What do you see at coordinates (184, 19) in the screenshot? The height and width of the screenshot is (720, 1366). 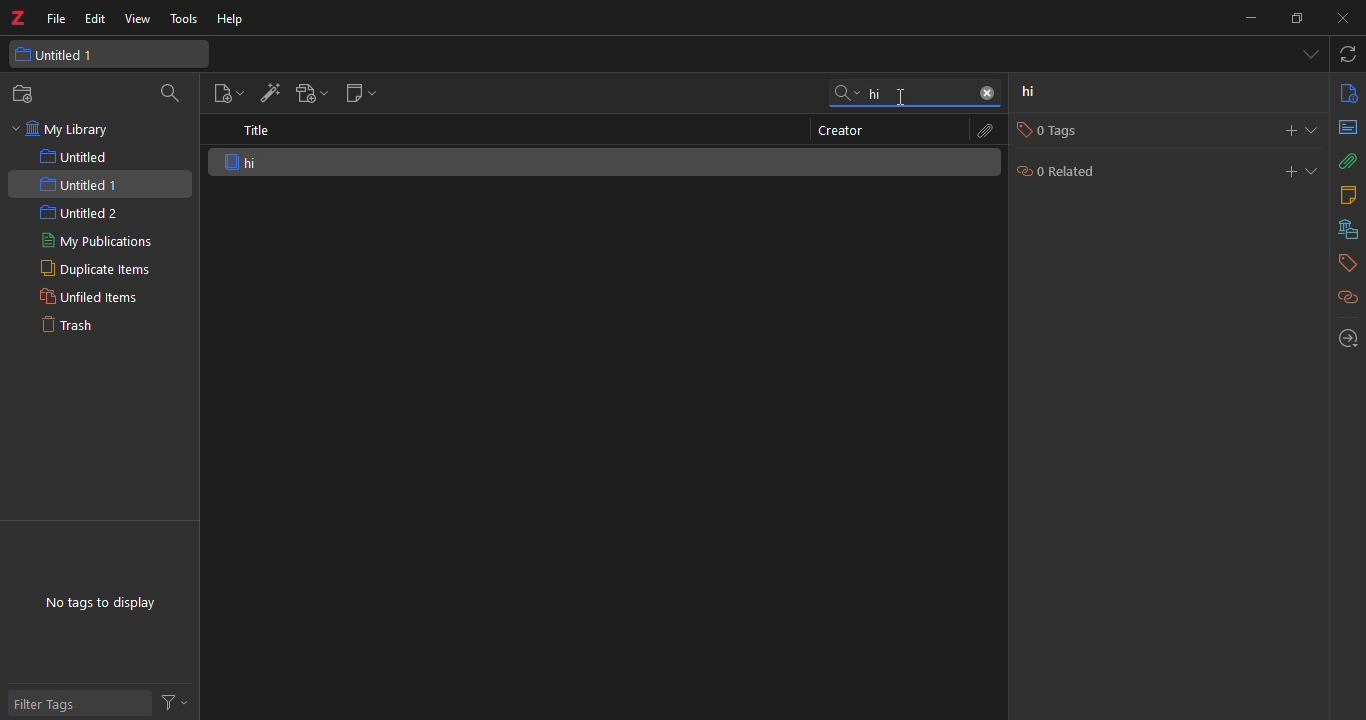 I see `tools` at bounding box center [184, 19].